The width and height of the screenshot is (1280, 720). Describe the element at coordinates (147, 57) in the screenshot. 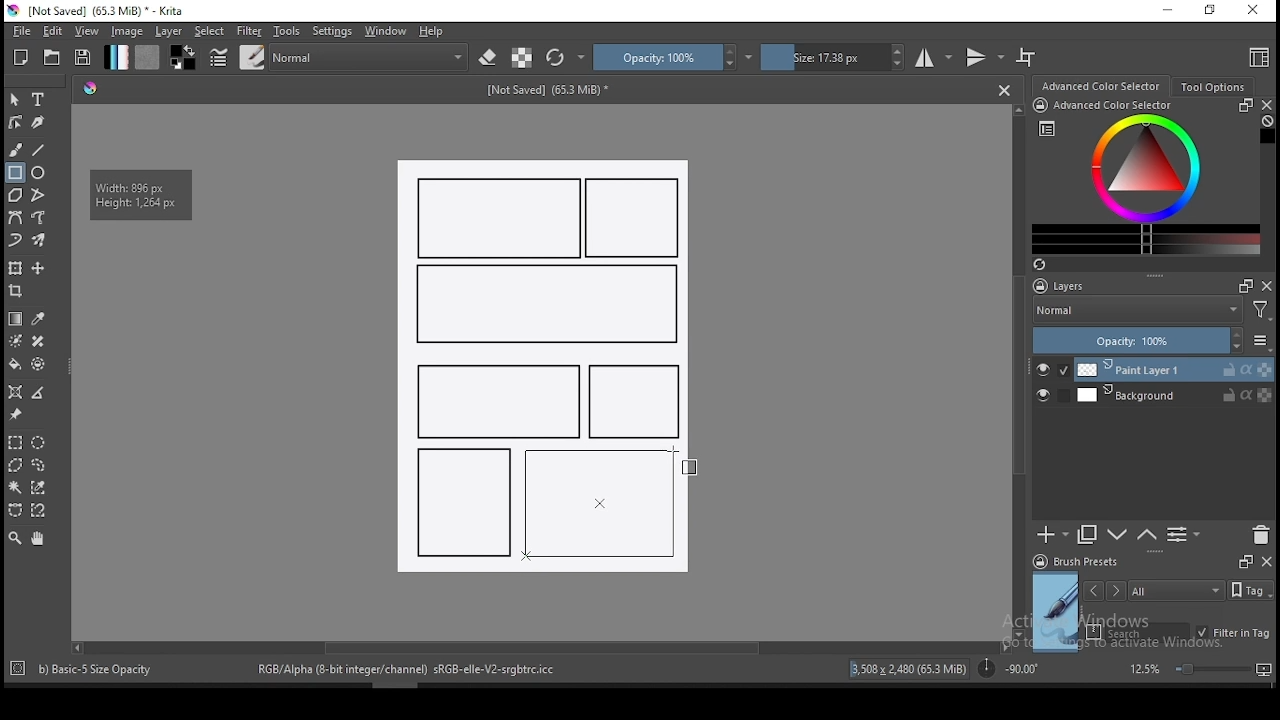

I see `pattern` at that location.